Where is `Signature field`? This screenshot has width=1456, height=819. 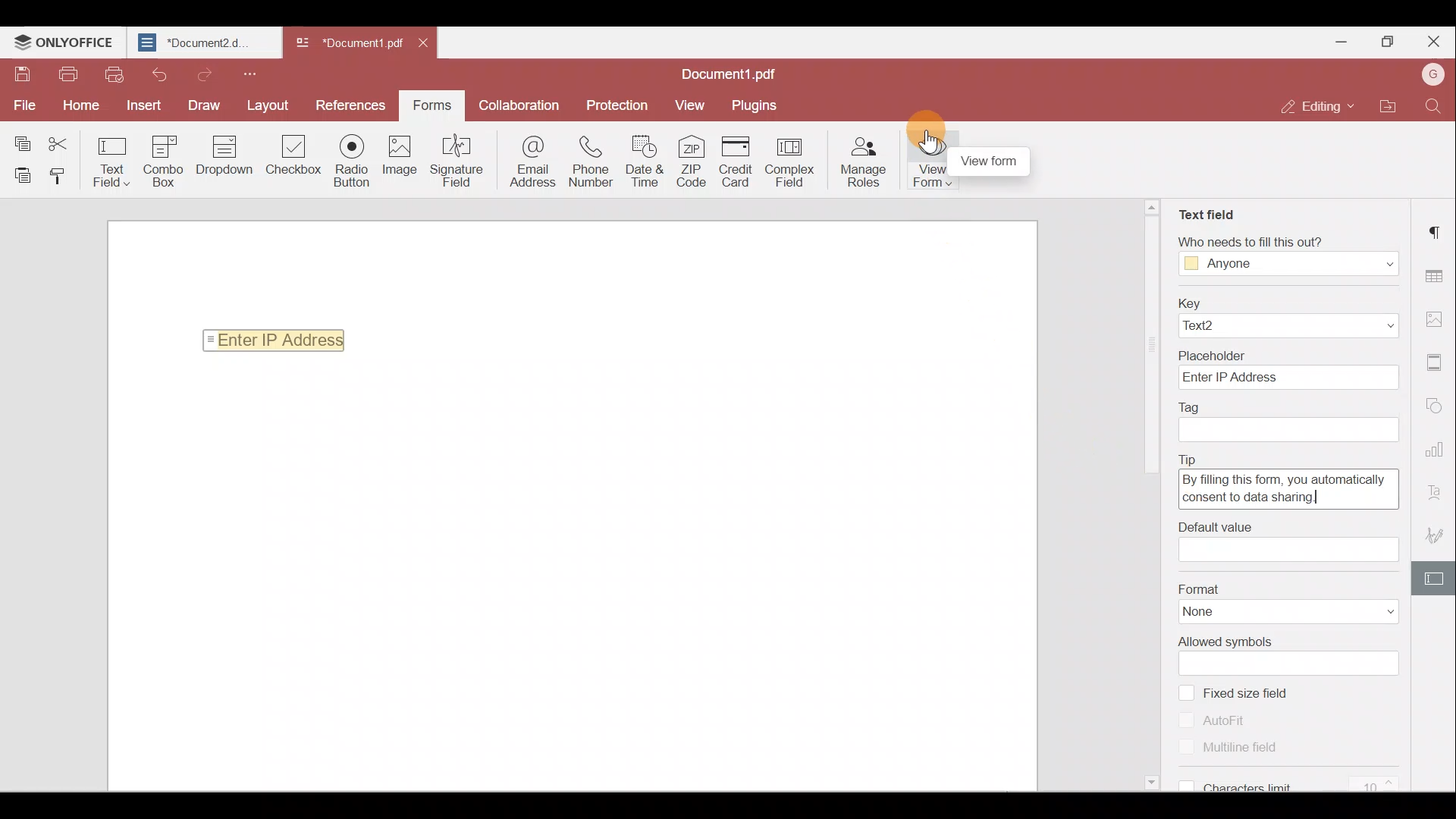 Signature field is located at coordinates (460, 162).